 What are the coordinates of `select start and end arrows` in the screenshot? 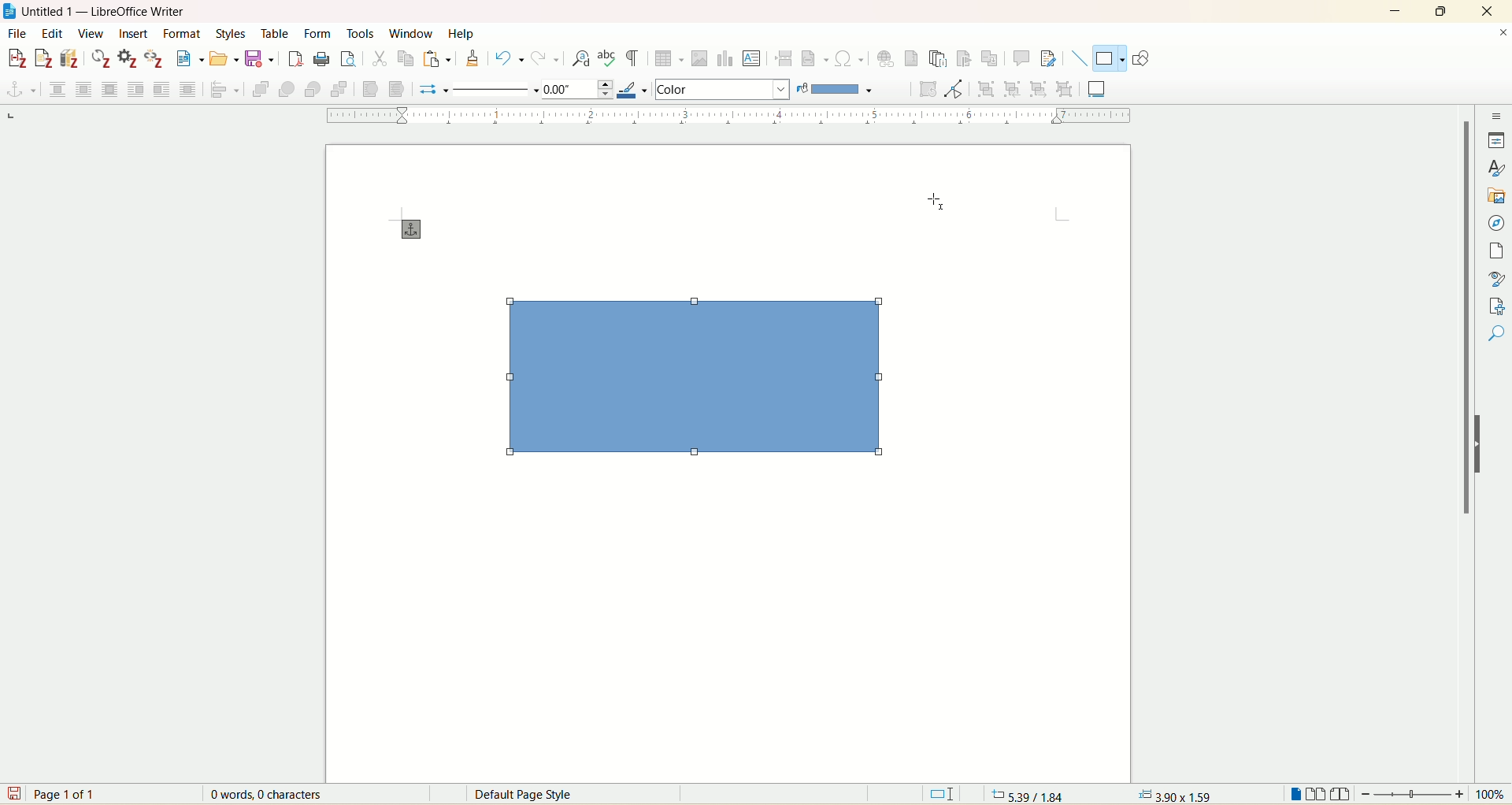 It's located at (435, 90).